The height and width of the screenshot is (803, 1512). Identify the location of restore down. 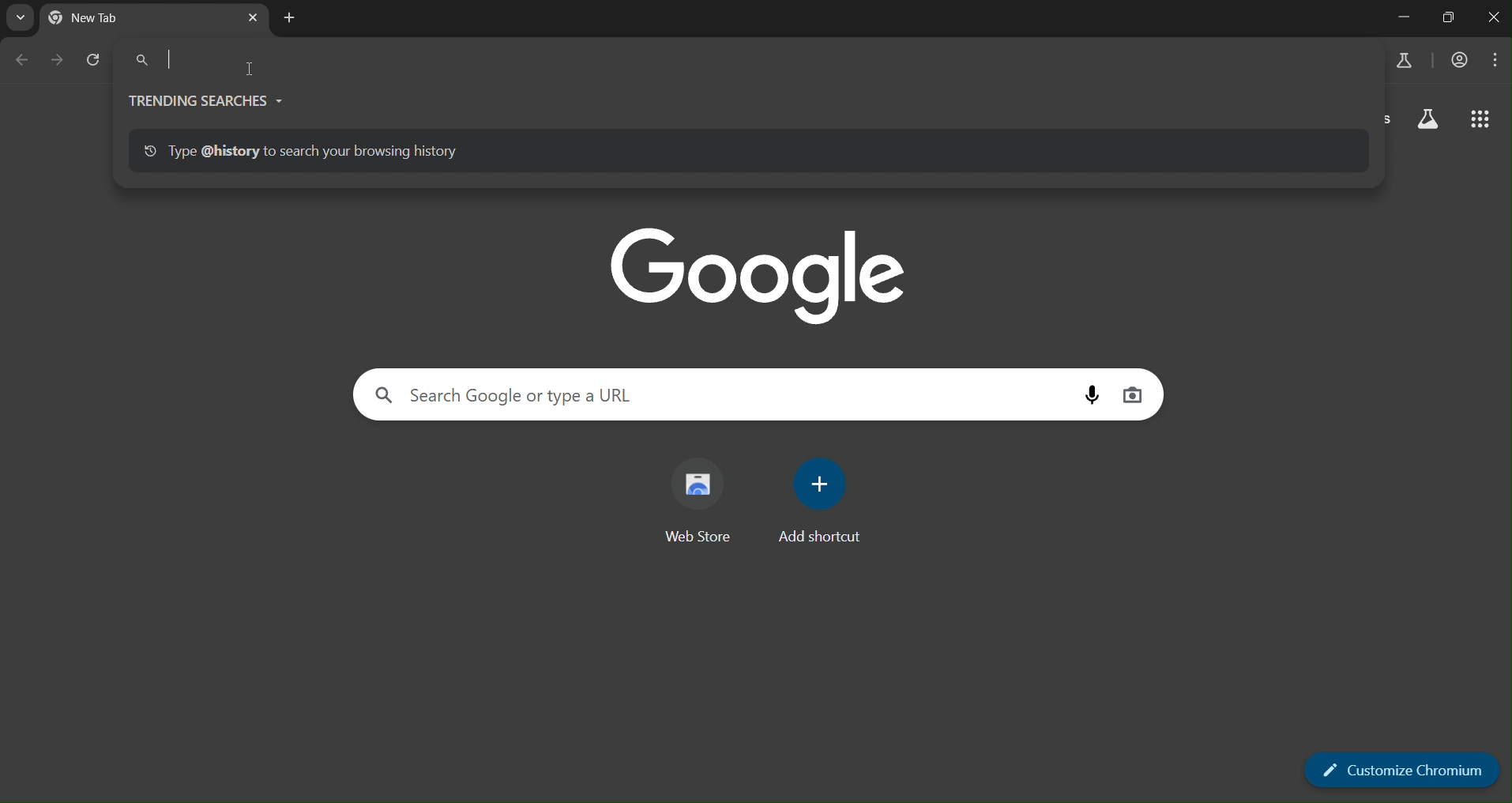
(1450, 17).